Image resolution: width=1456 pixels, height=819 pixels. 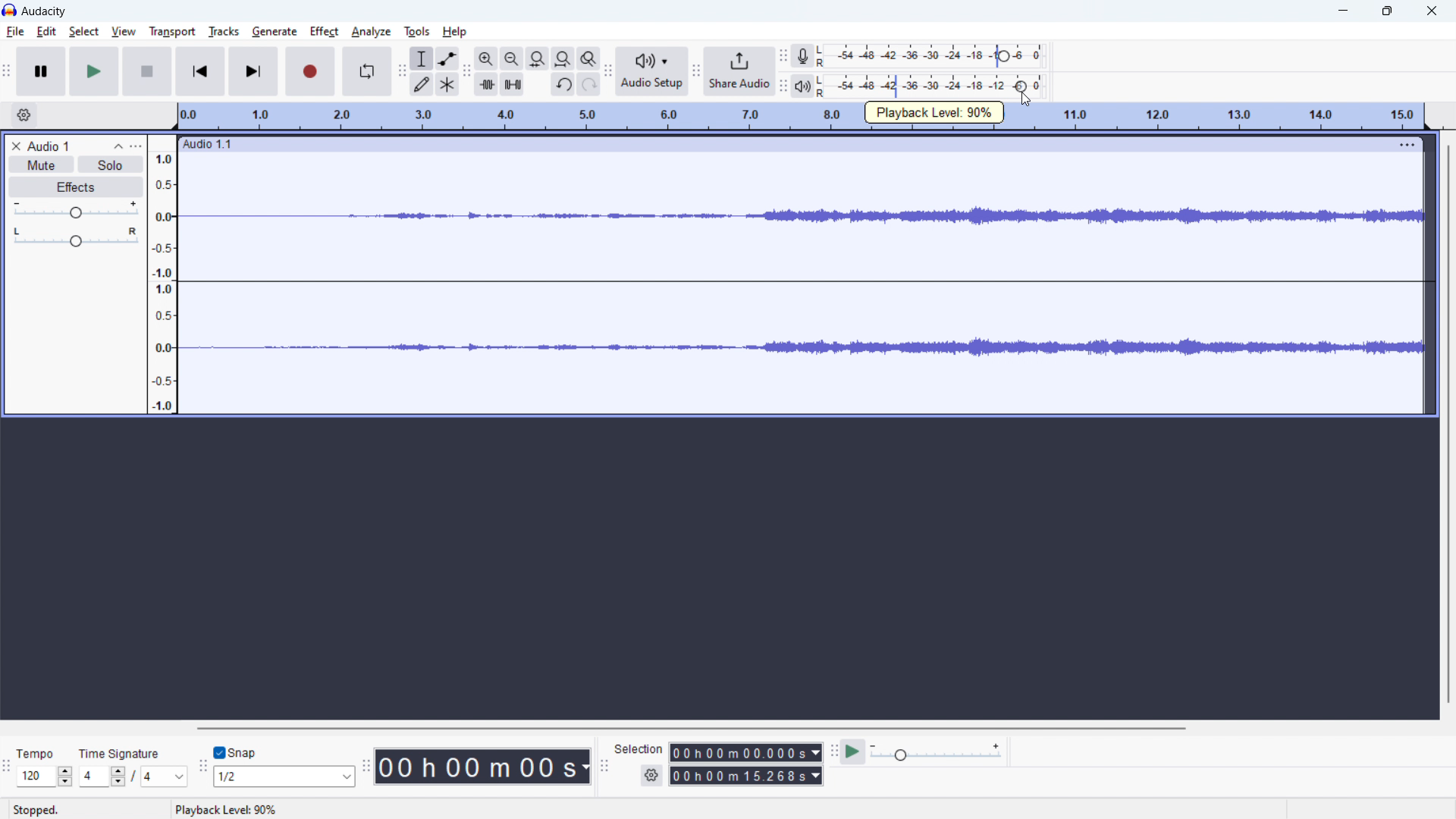 I want to click on transport, so click(x=173, y=32).